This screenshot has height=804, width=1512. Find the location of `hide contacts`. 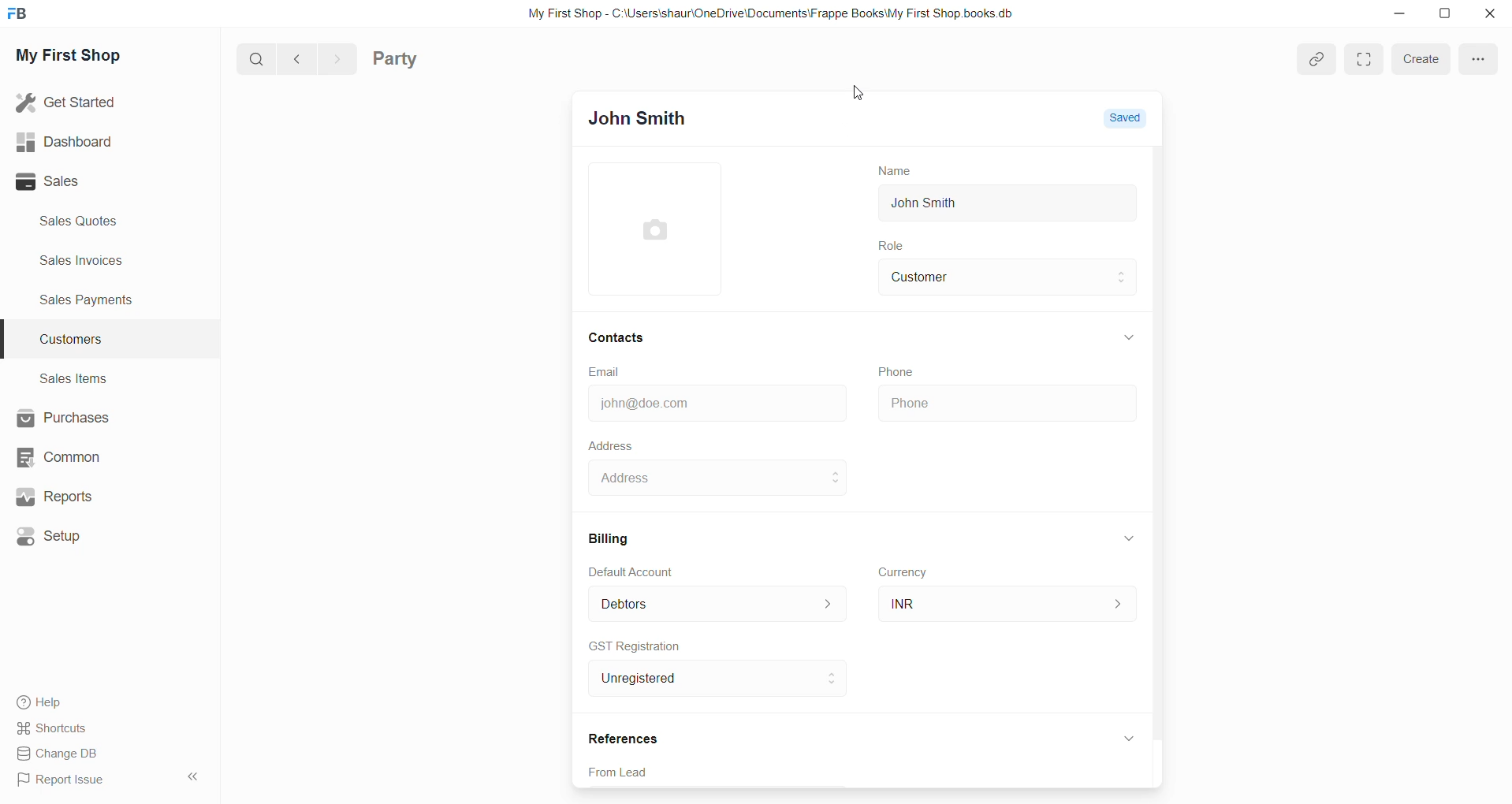

hide contacts is located at coordinates (1131, 337).